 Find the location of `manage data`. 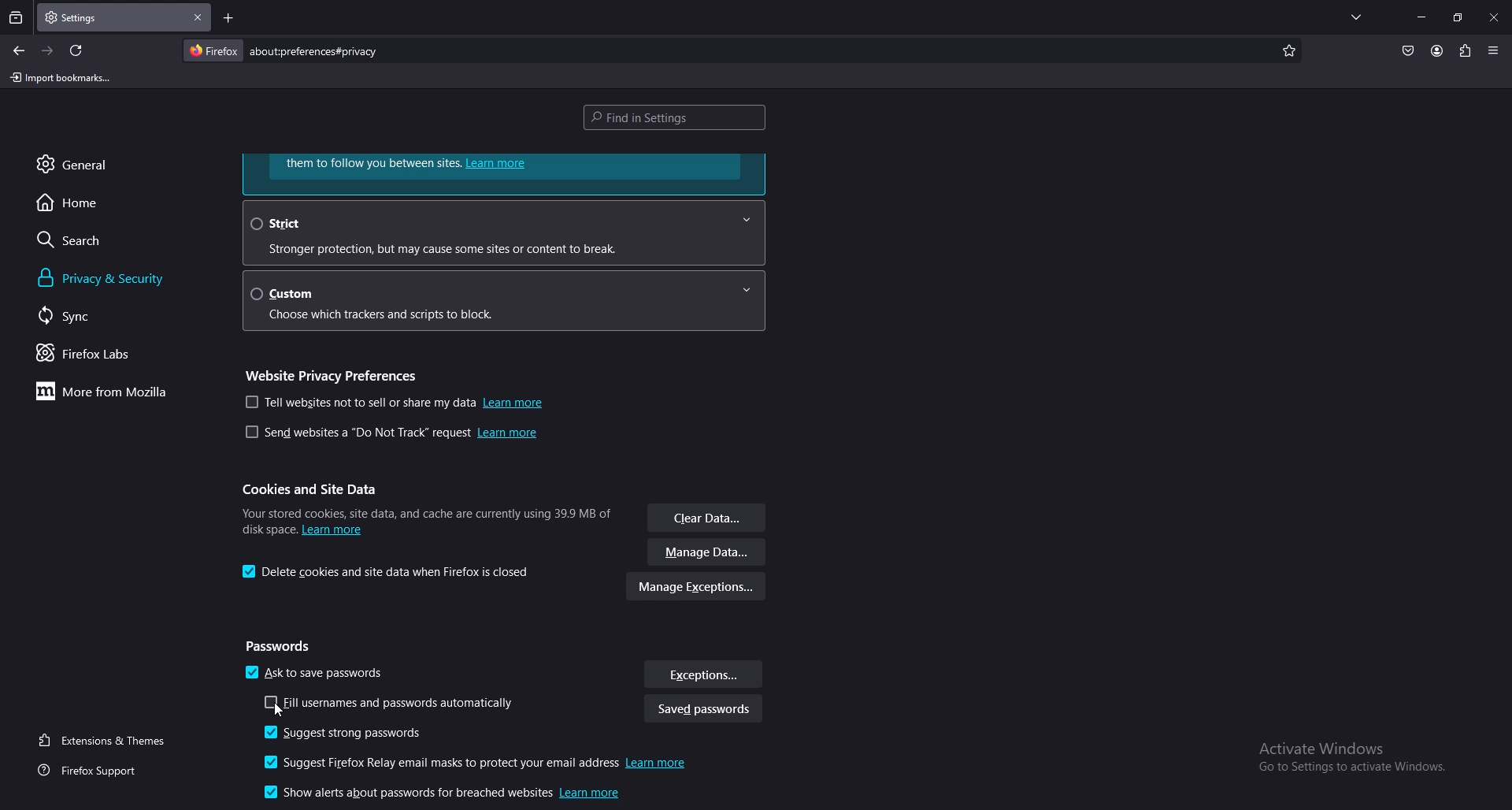

manage data is located at coordinates (708, 553).